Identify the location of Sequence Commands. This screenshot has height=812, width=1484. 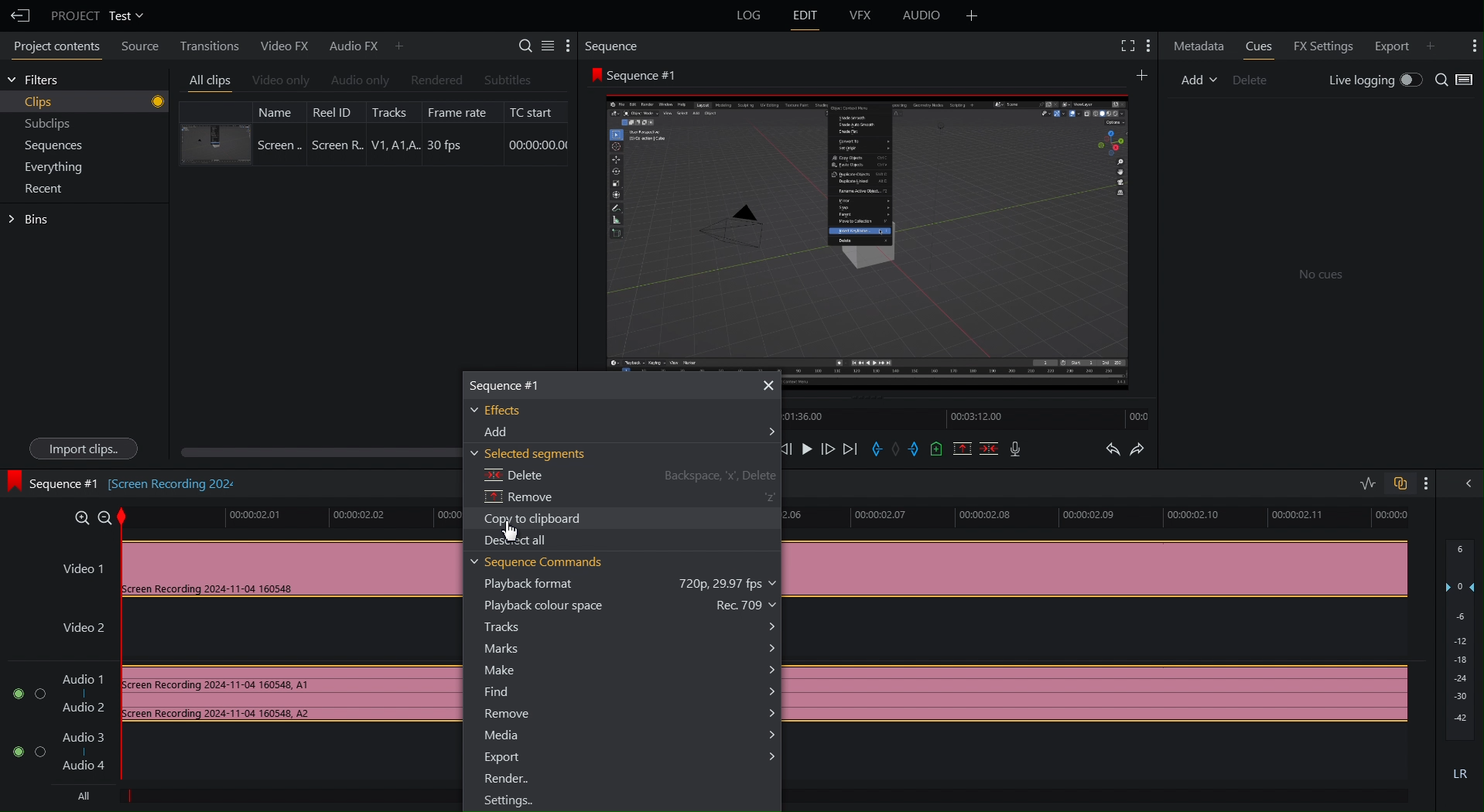
(540, 562).